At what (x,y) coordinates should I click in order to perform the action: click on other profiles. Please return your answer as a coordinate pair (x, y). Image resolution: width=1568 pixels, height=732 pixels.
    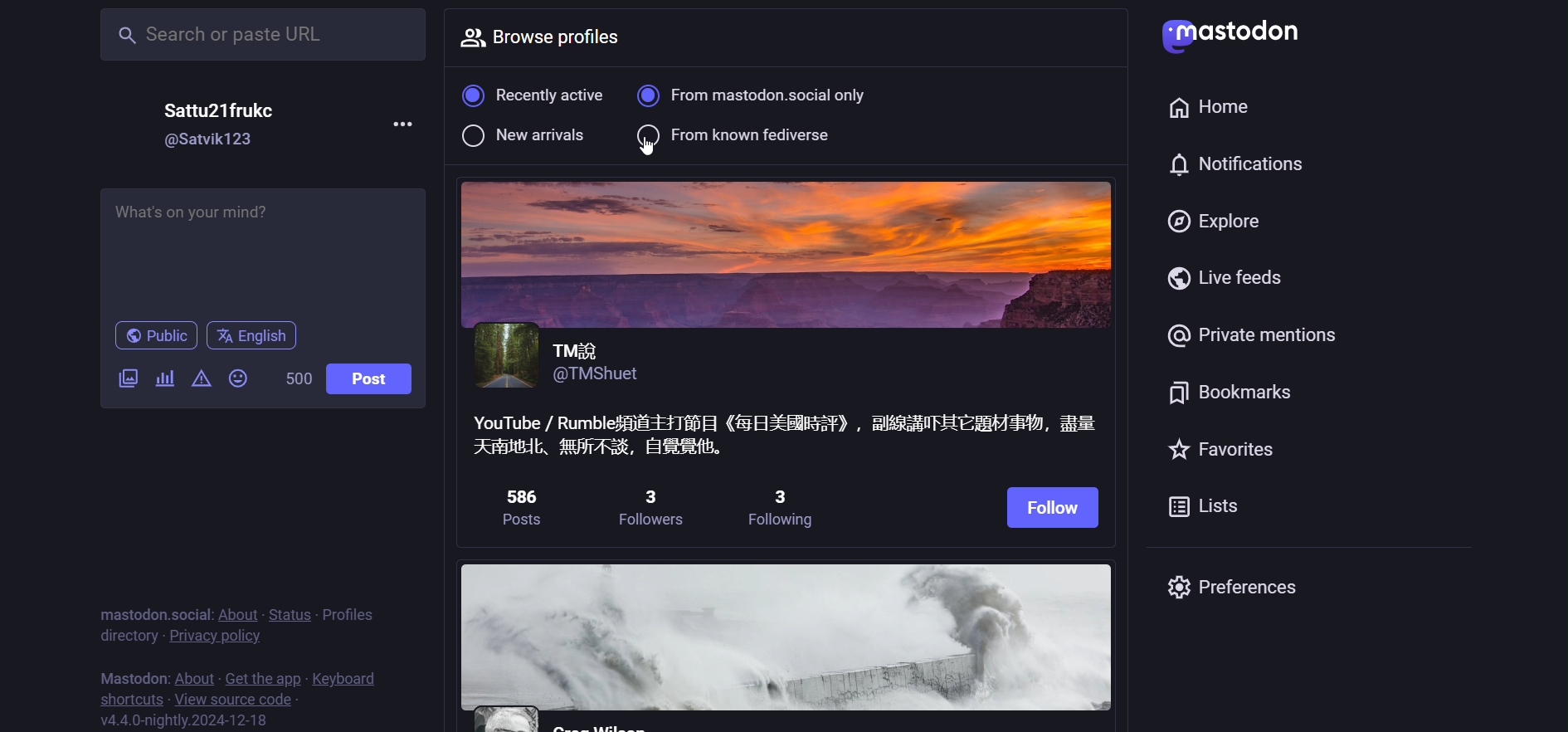
    Looking at the image, I should click on (788, 642).